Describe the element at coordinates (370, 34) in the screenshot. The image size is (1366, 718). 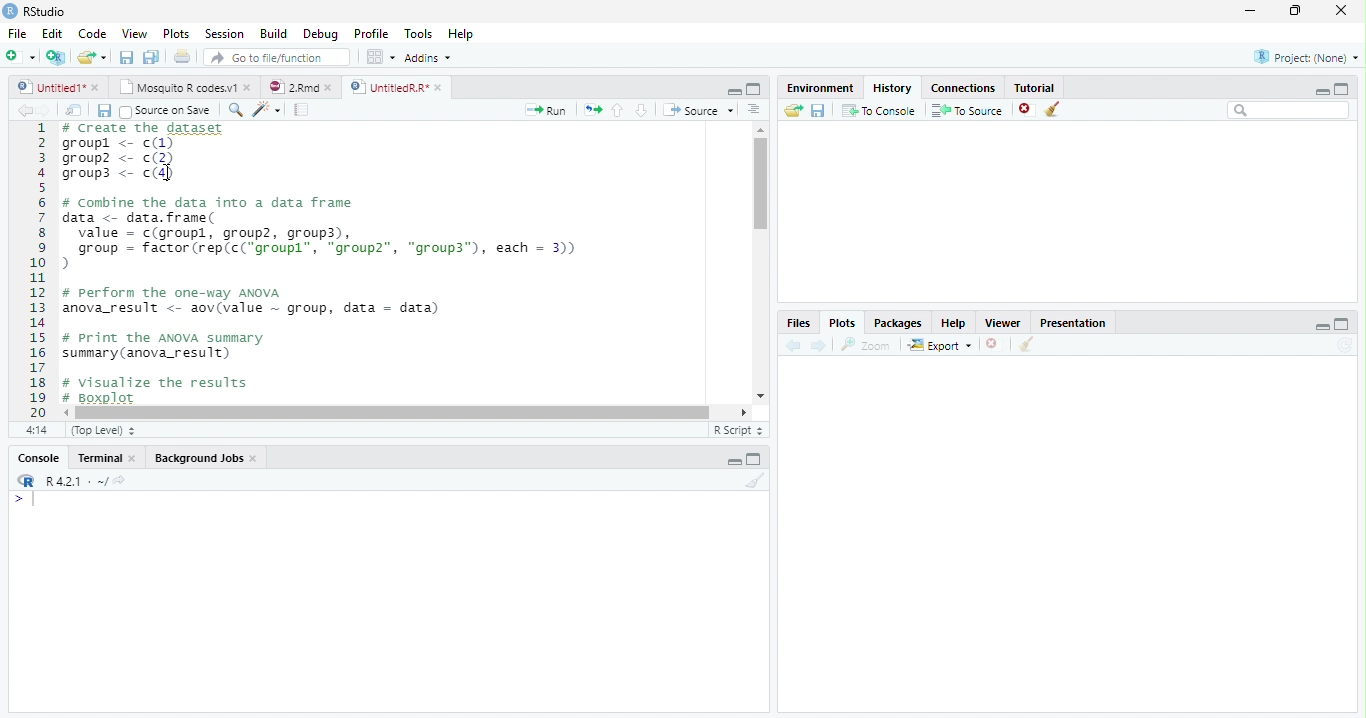
I see `Profile` at that location.